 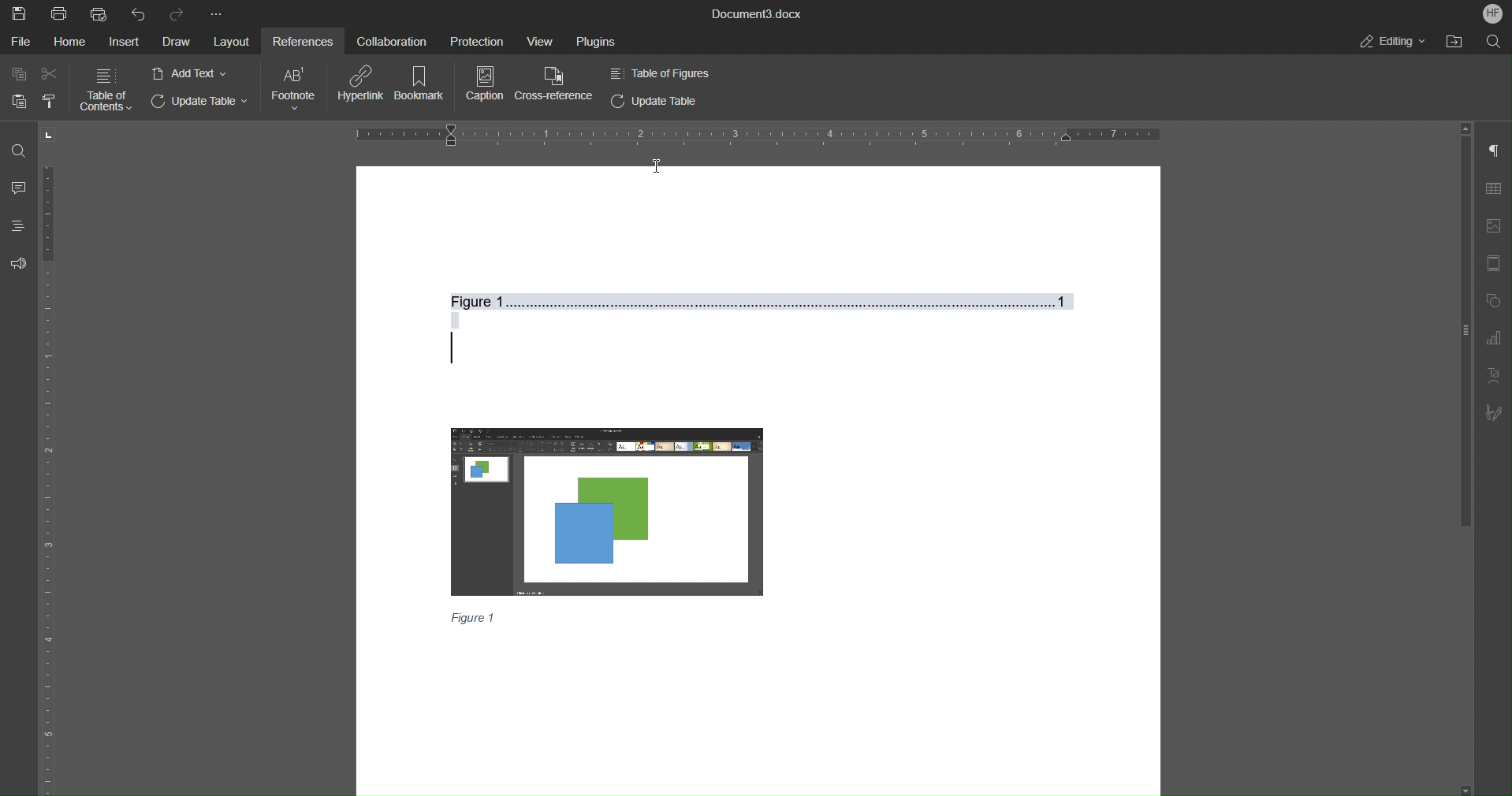 What do you see at coordinates (389, 40) in the screenshot?
I see `Collaboration` at bounding box center [389, 40].